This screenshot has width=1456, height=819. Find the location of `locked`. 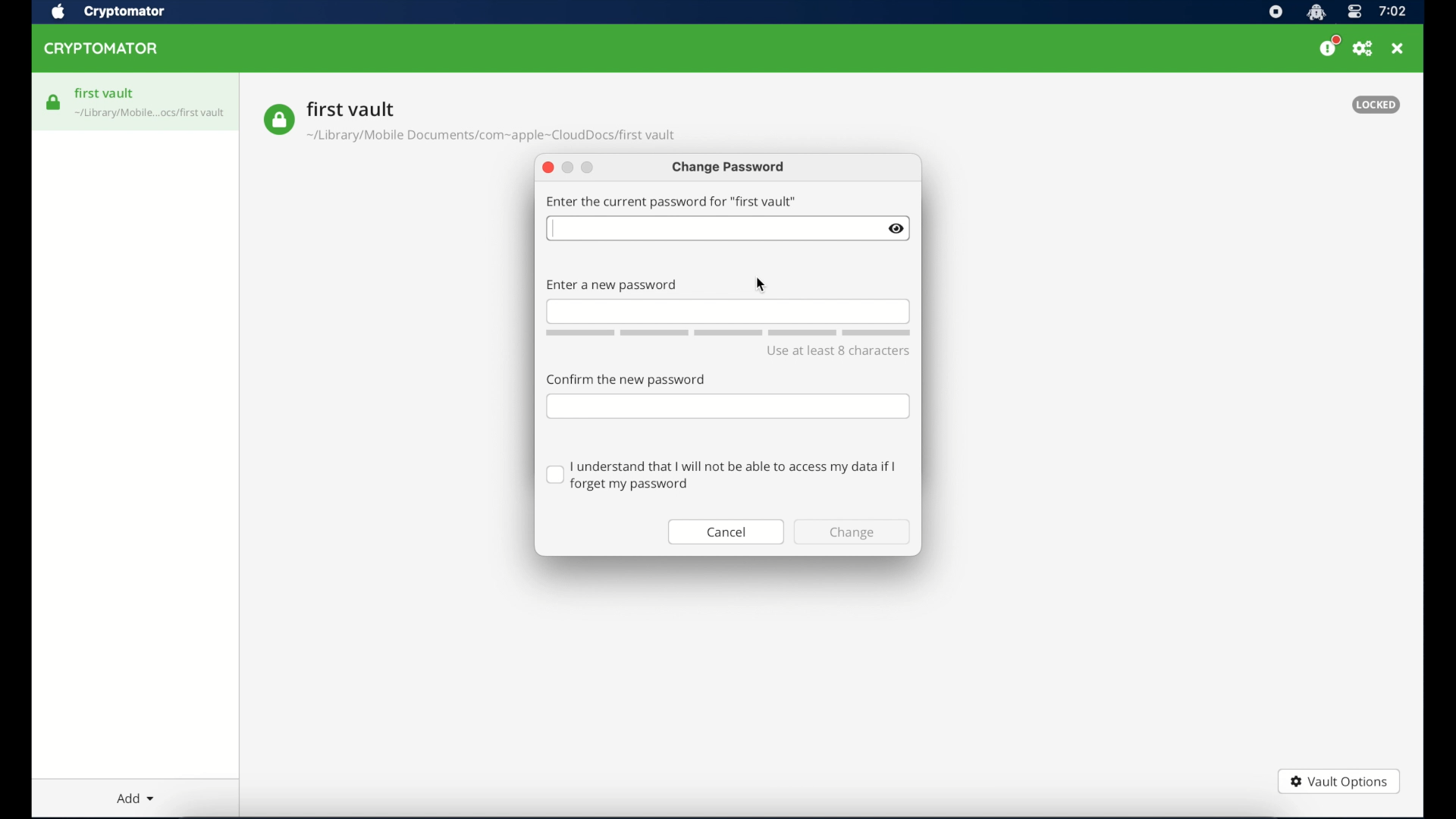

locked is located at coordinates (1376, 105).